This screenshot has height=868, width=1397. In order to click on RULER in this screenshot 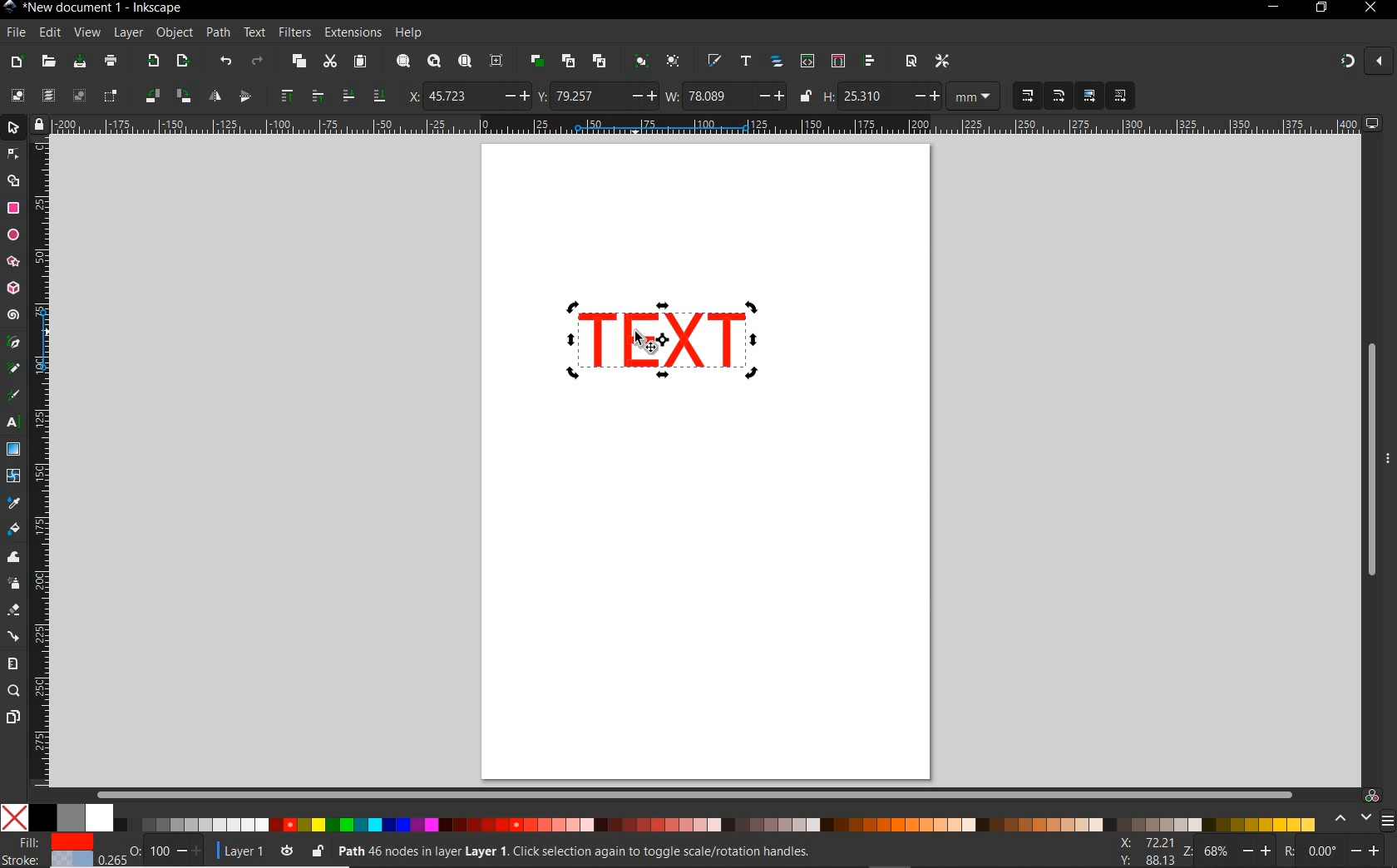, I will do `click(42, 463)`.